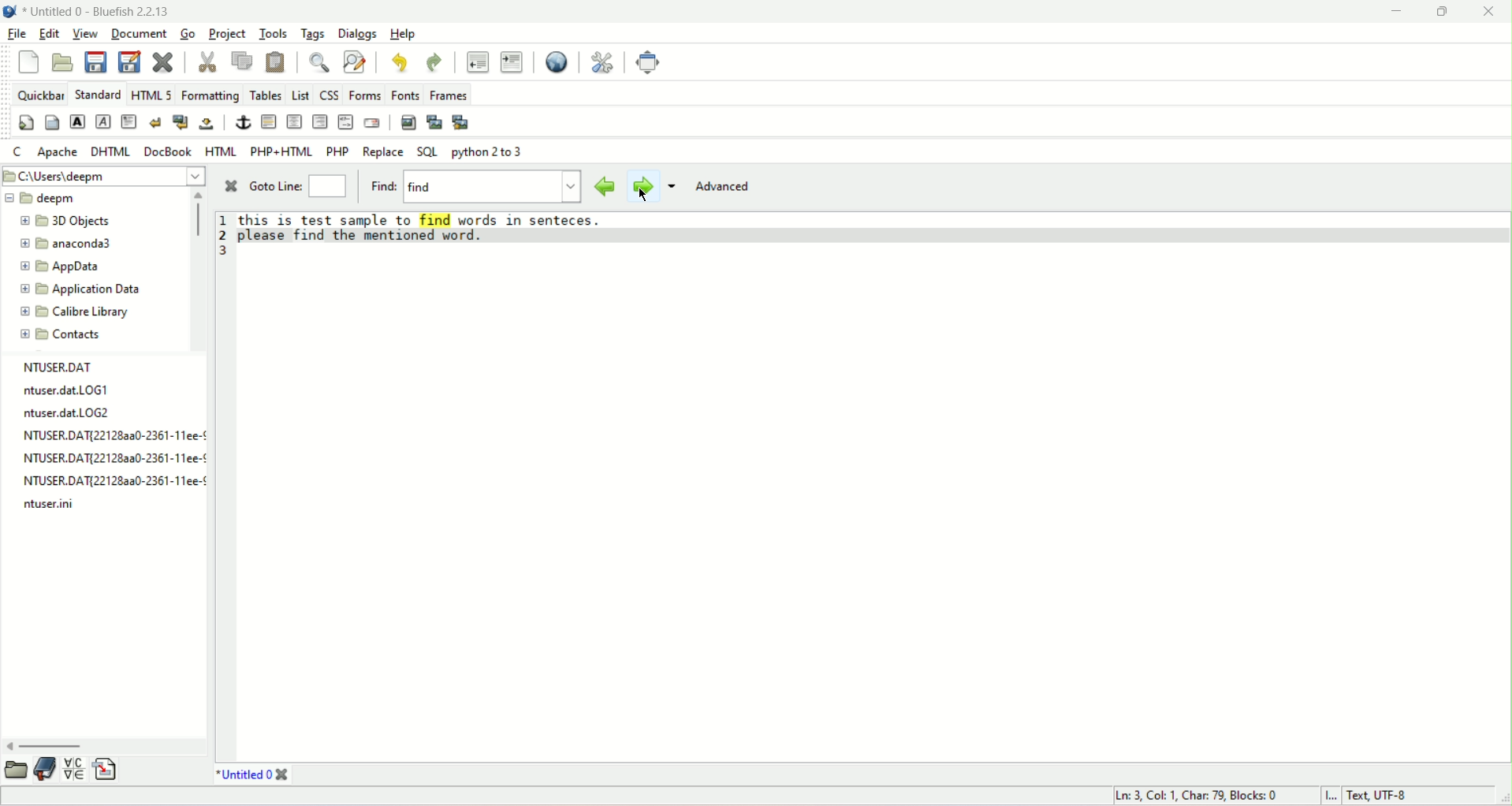  What do you see at coordinates (449, 95) in the screenshot?
I see `frames` at bounding box center [449, 95].